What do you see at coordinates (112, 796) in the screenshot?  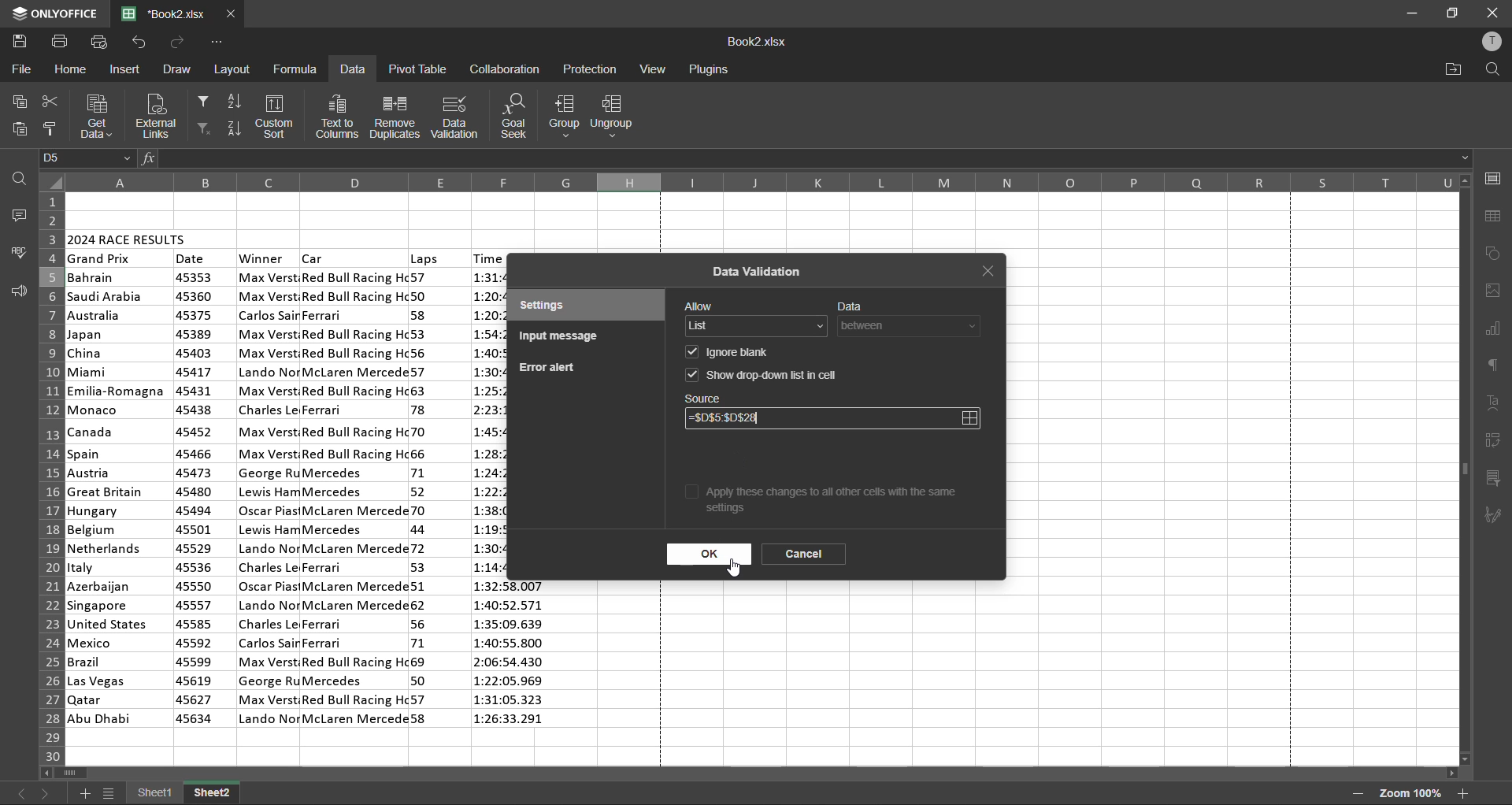 I see `sheet list` at bounding box center [112, 796].